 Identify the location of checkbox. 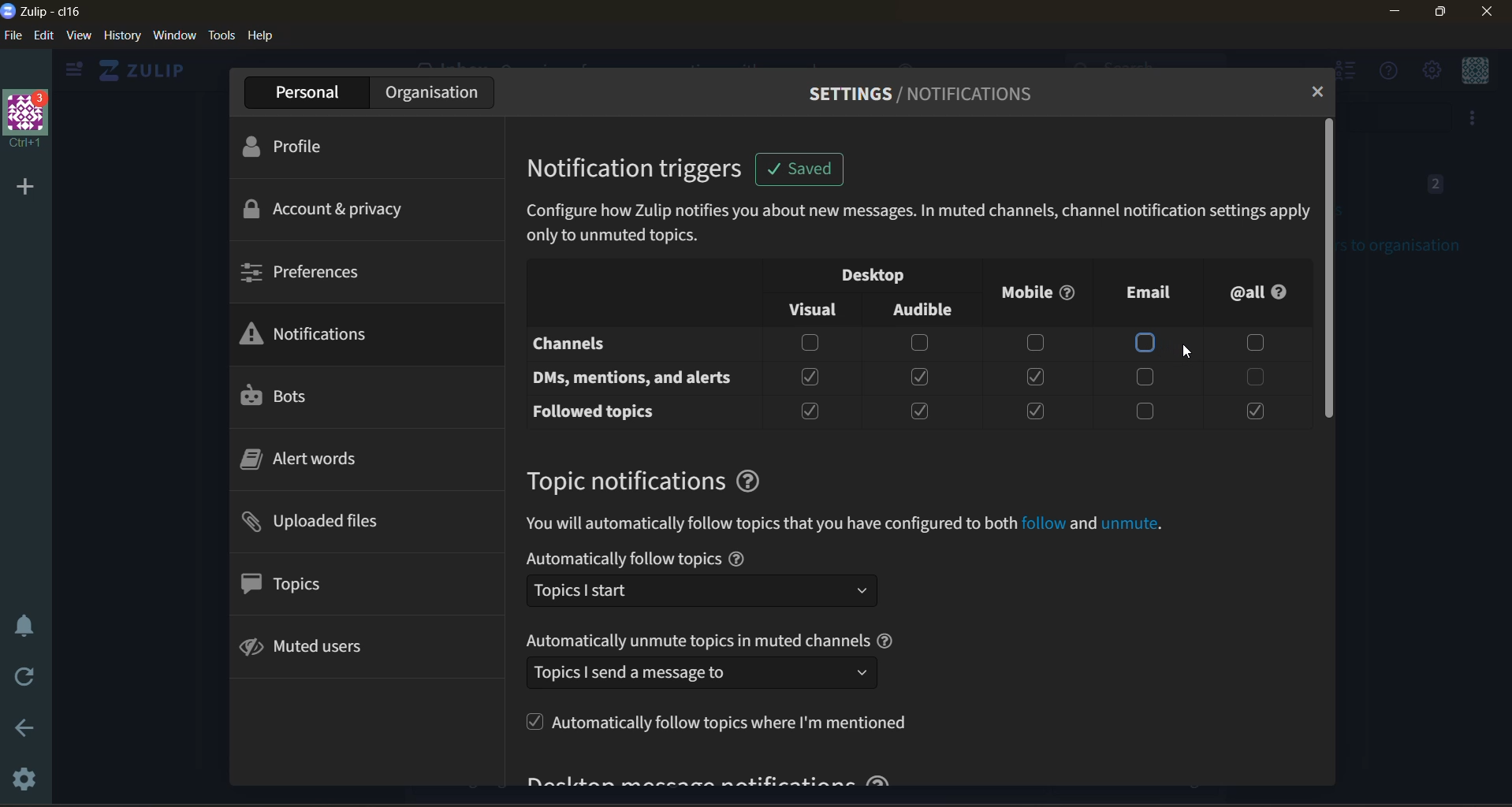
(922, 378).